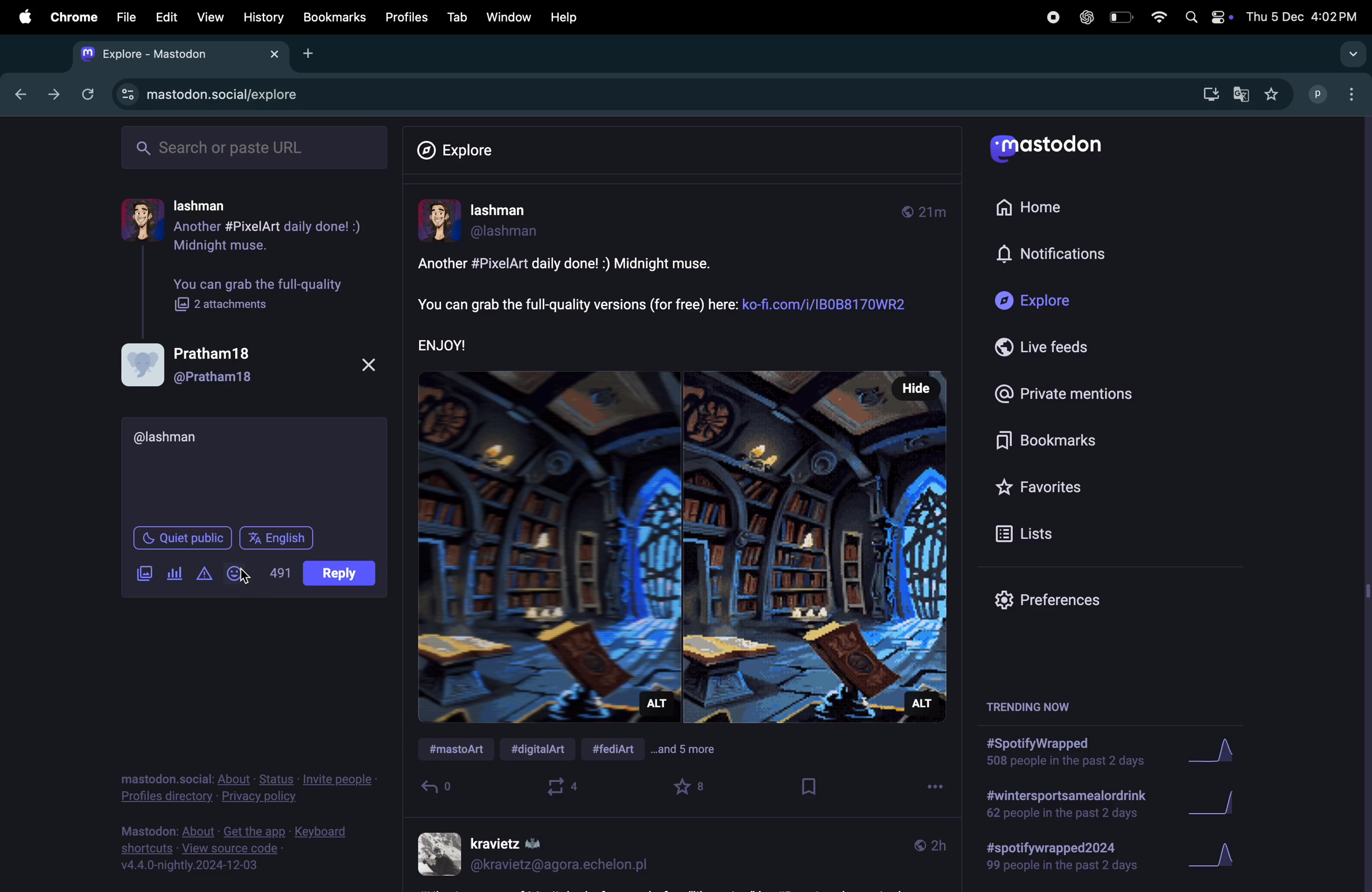 Image resolution: width=1372 pixels, height=892 pixels. What do you see at coordinates (545, 751) in the screenshot?
I see `#digital ART` at bounding box center [545, 751].